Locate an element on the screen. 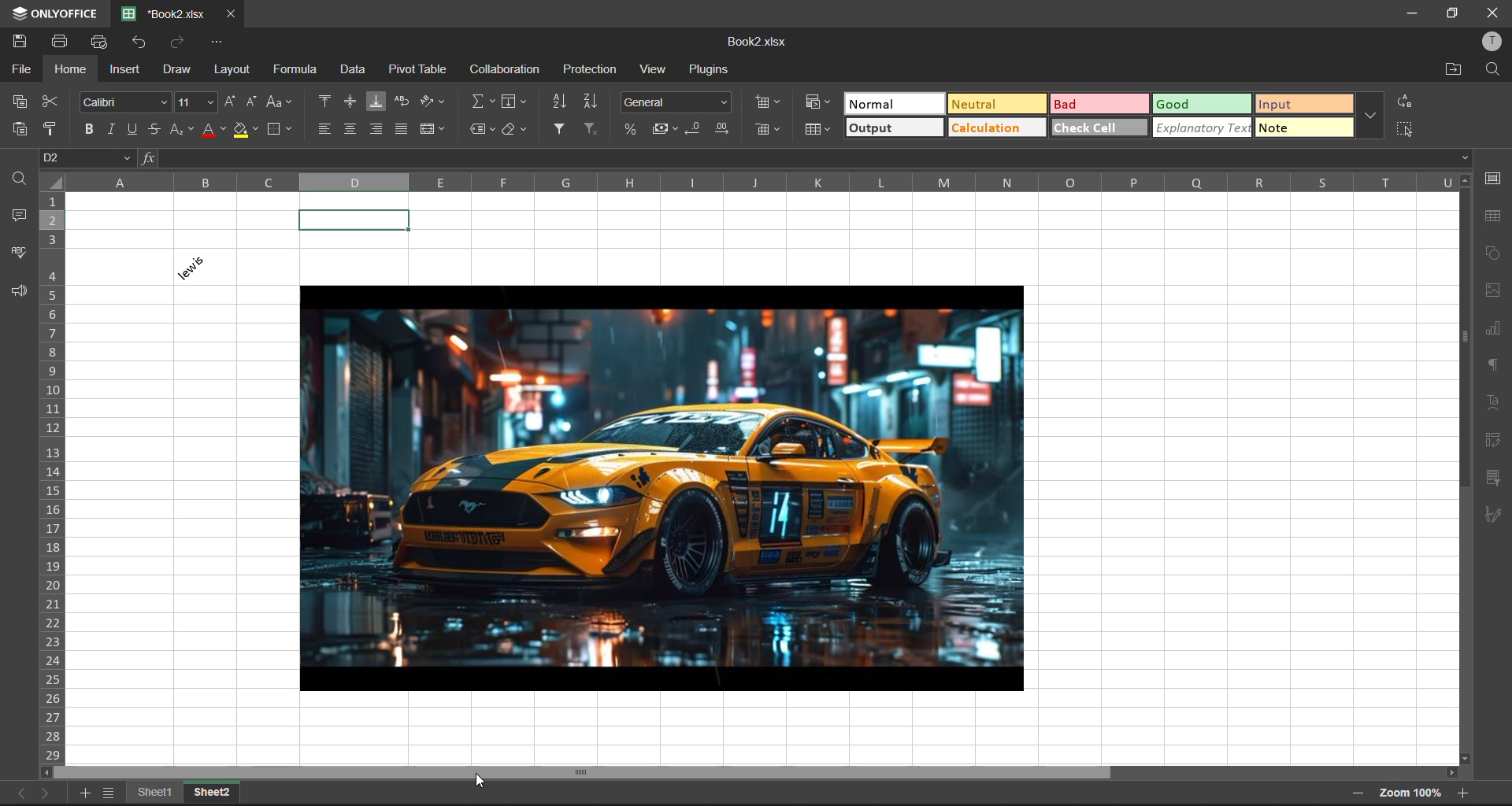 This screenshot has width=1512, height=806. spellcheck is located at coordinates (17, 252).